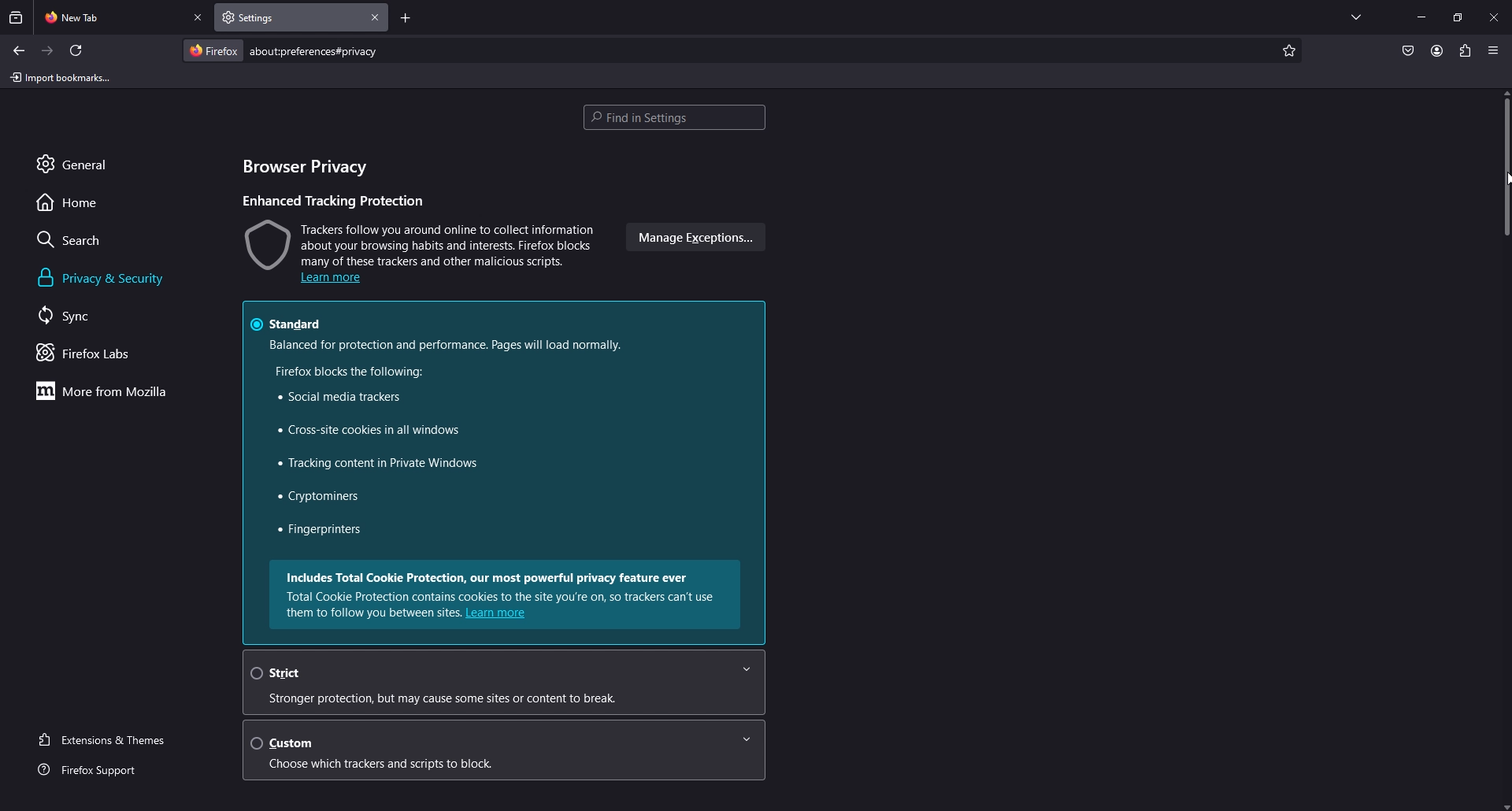 This screenshot has height=811, width=1512. I want to click on settings tab, so click(269, 17).